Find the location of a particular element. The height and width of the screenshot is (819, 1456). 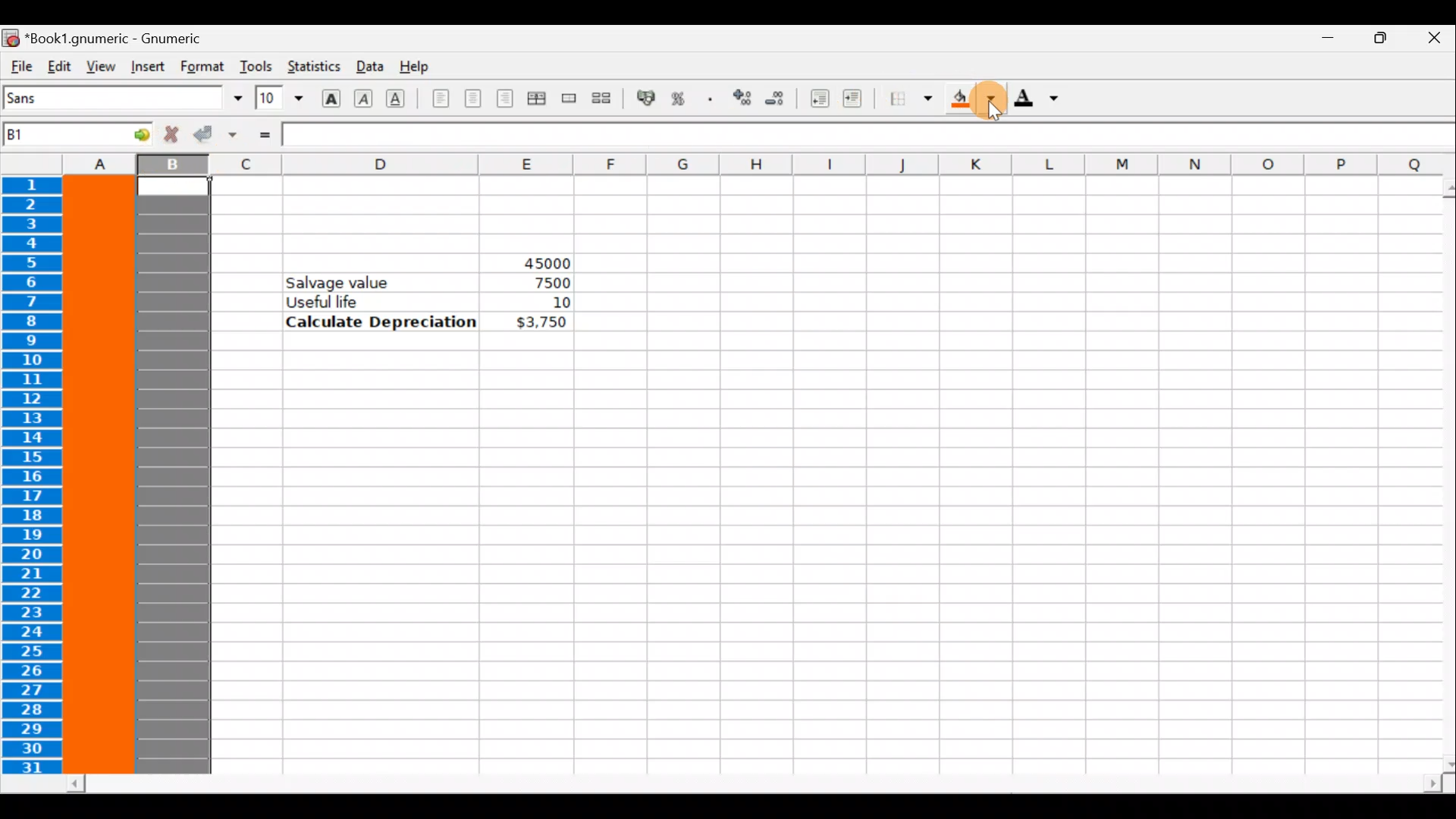

Align left is located at coordinates (441, 99).